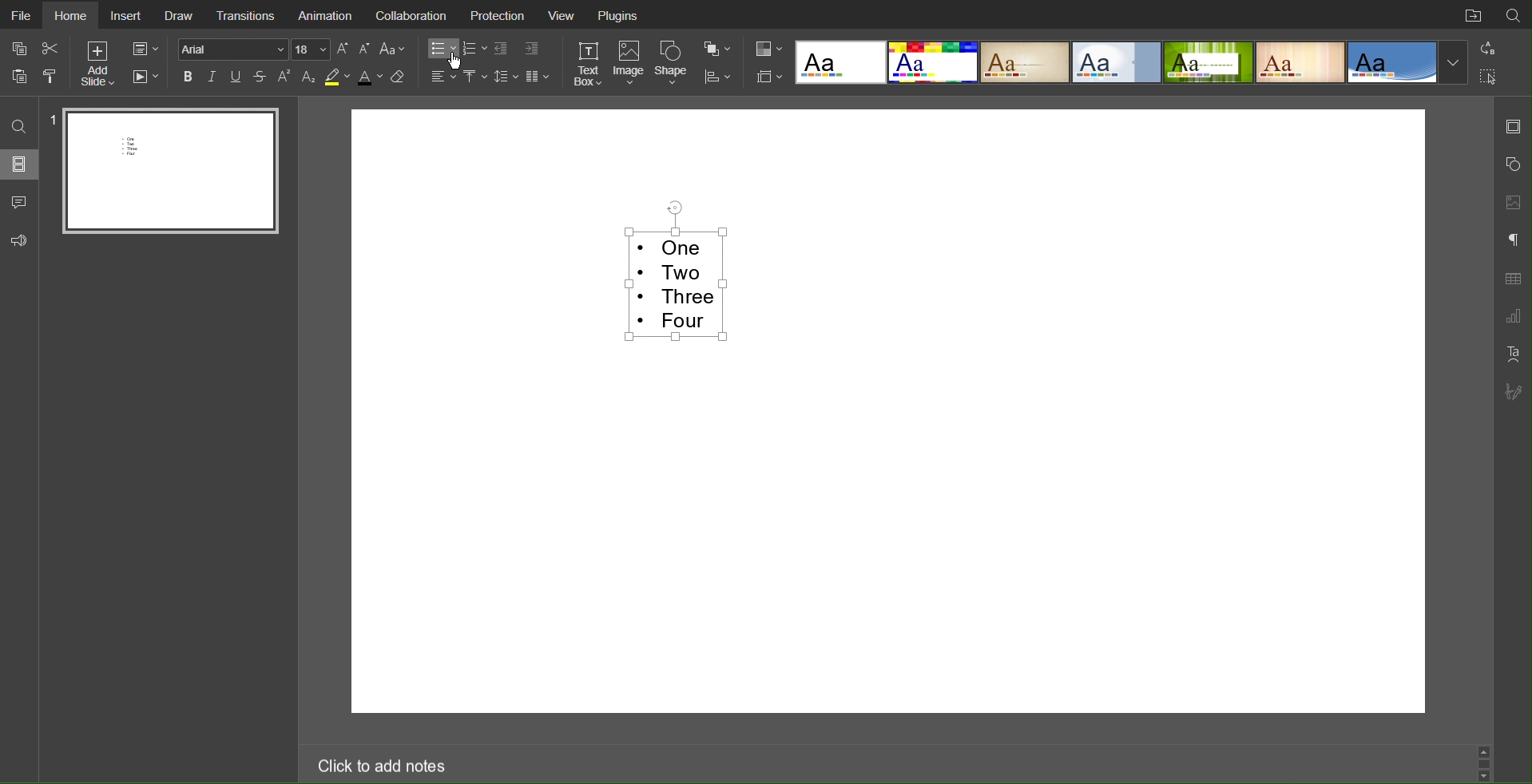  What do you see at coordinates (473, 76) in the screenshot?
I see `Vertical Alignment` at bounding box center [473, 76].